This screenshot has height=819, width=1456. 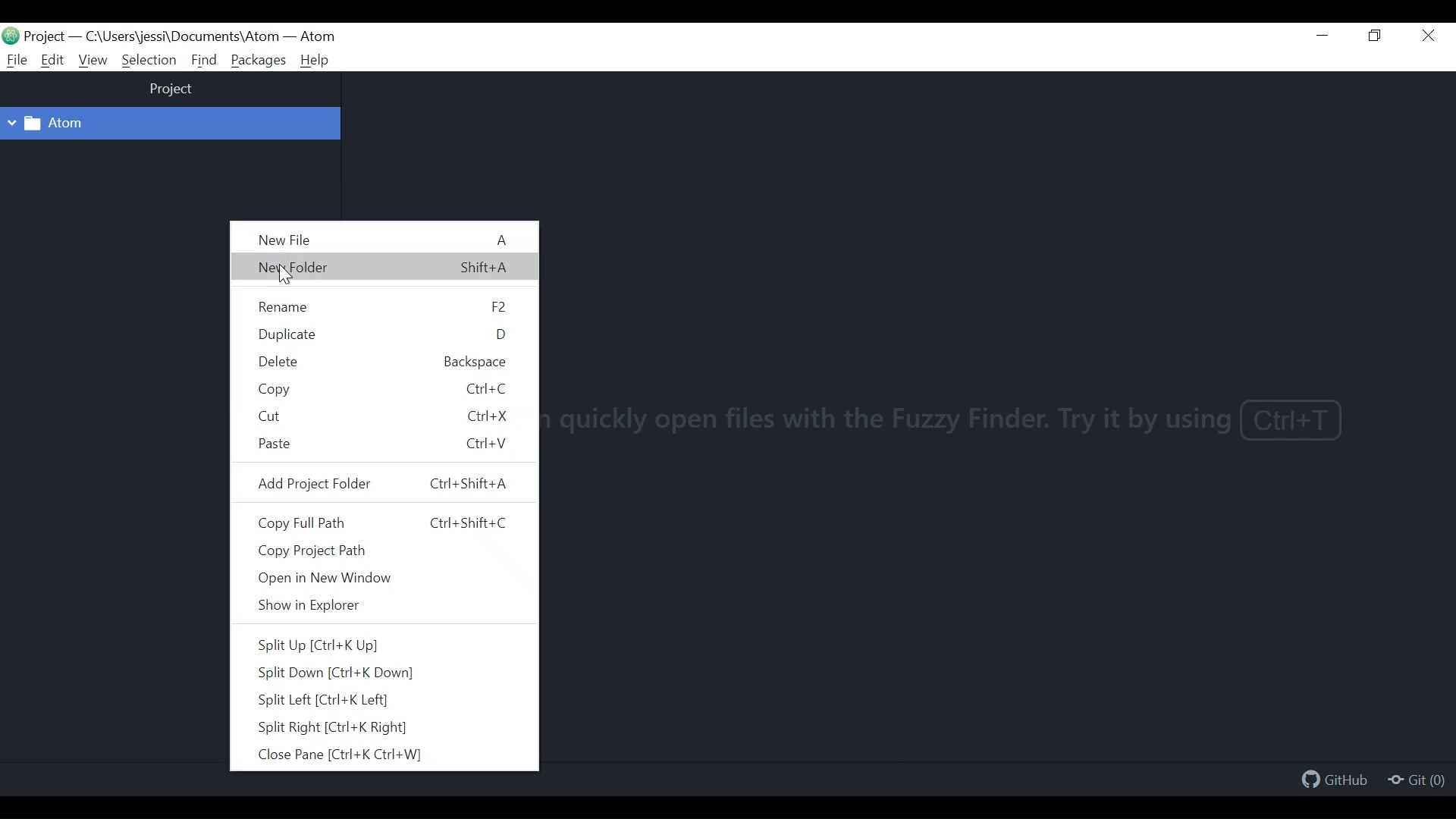 What do you see at coordinates (14, 60) in the screenshot?
I see `File` at bounding box center [14, 60].